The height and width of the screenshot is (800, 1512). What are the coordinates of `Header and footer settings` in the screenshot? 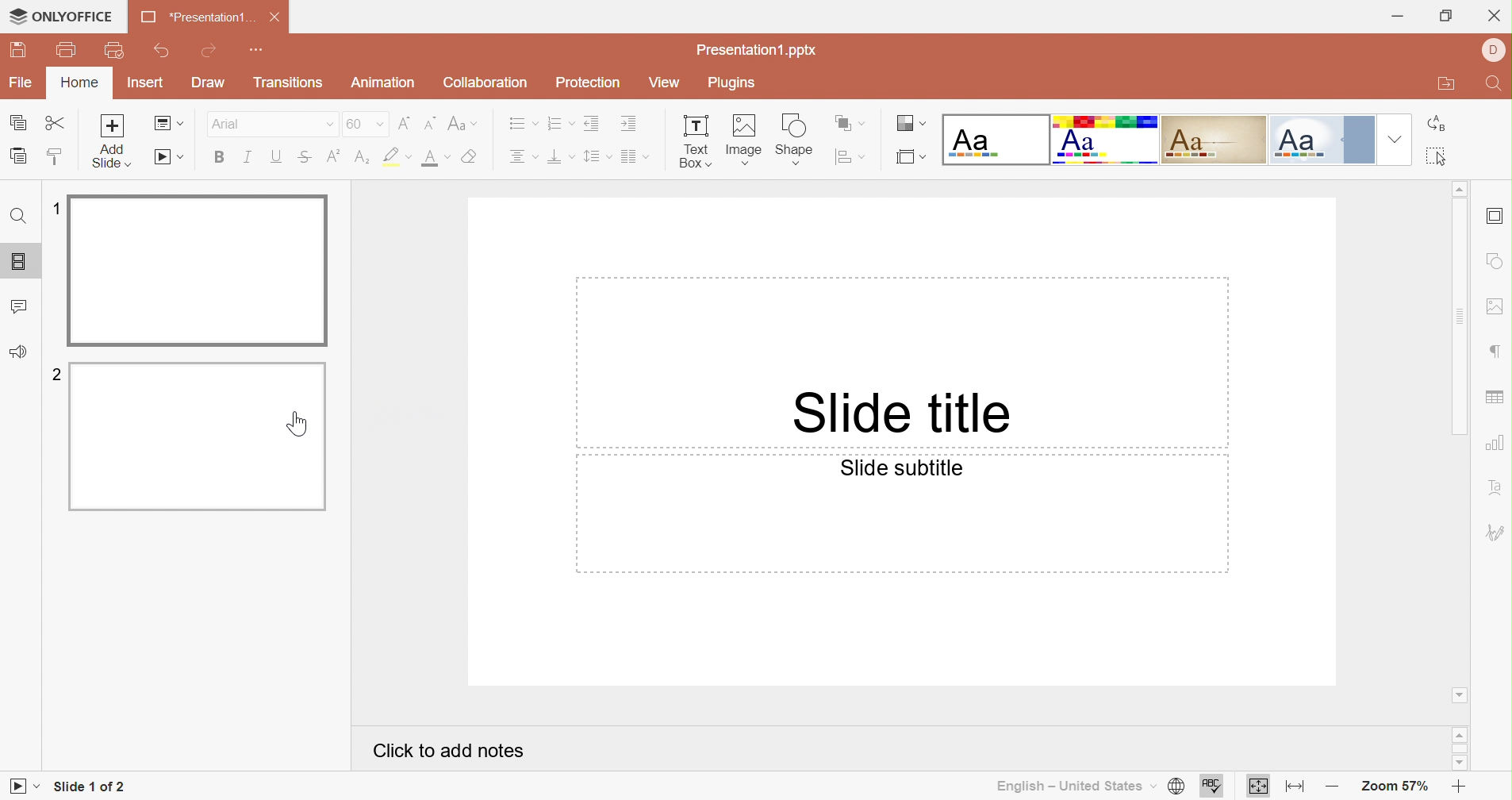 It's located at (1496, 217).